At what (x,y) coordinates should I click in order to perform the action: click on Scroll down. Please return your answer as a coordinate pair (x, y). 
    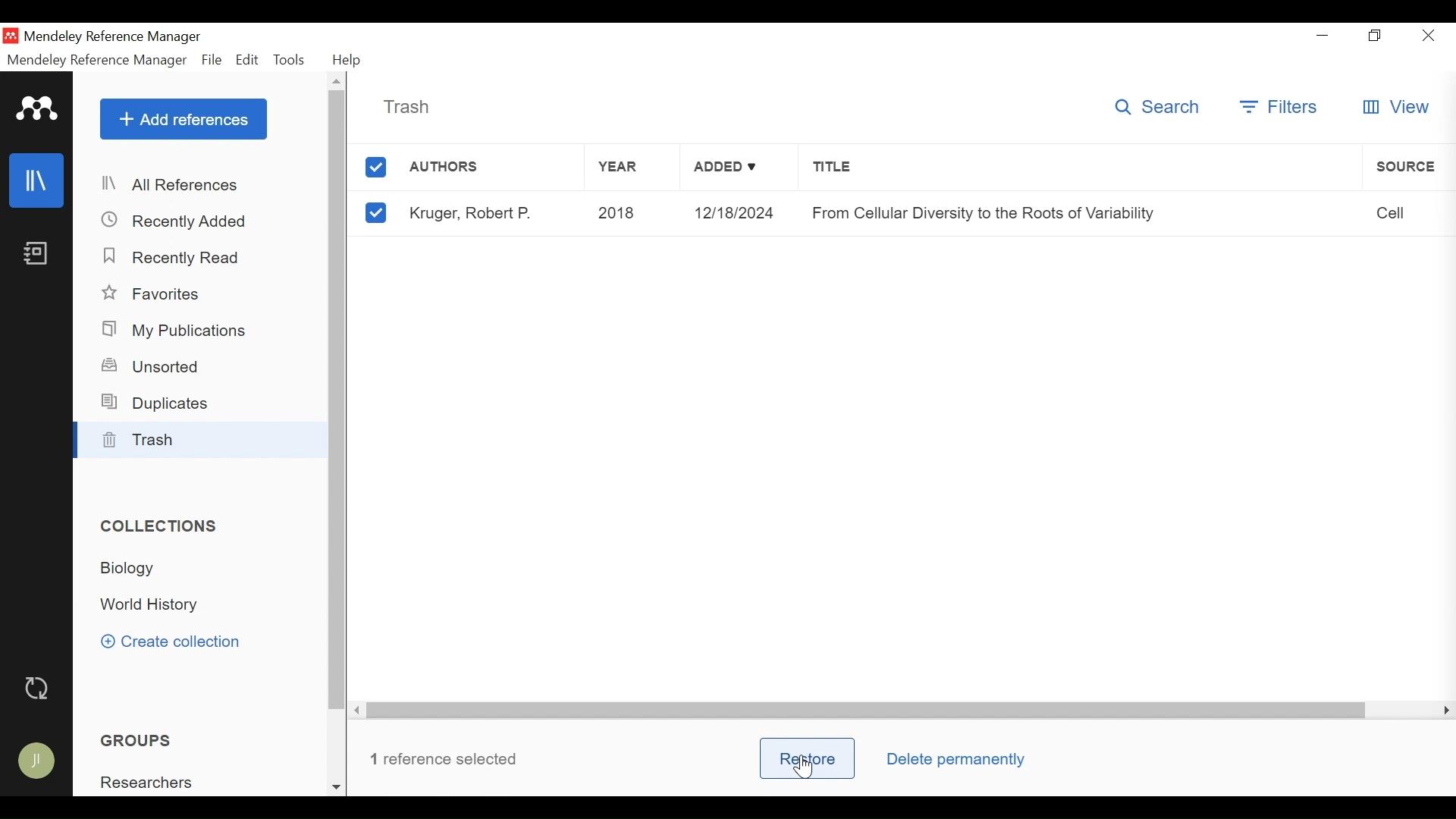
    Looking at the image, I should click on (334, 787).